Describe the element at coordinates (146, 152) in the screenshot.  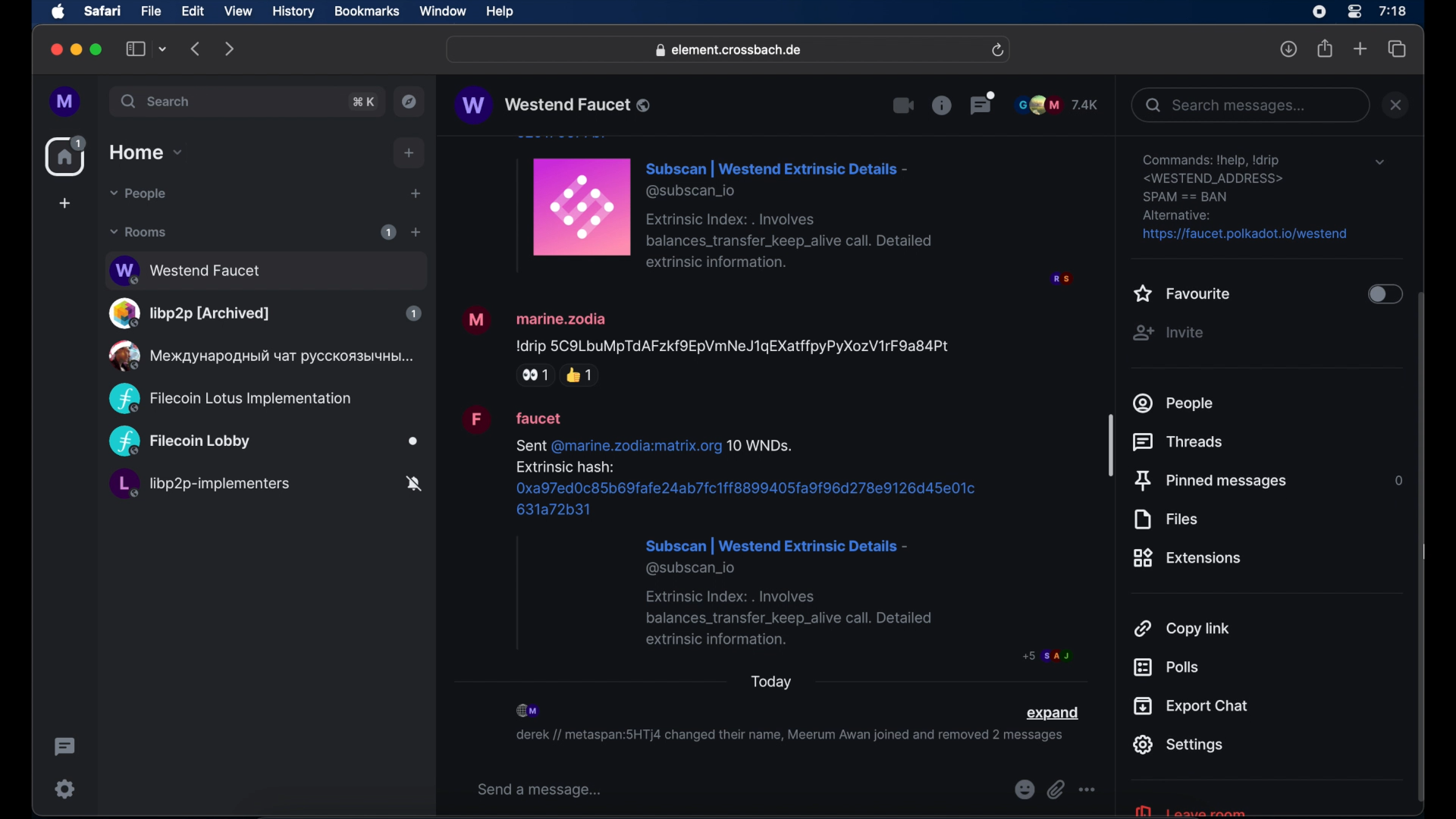
I see `home dropdown` at that location.